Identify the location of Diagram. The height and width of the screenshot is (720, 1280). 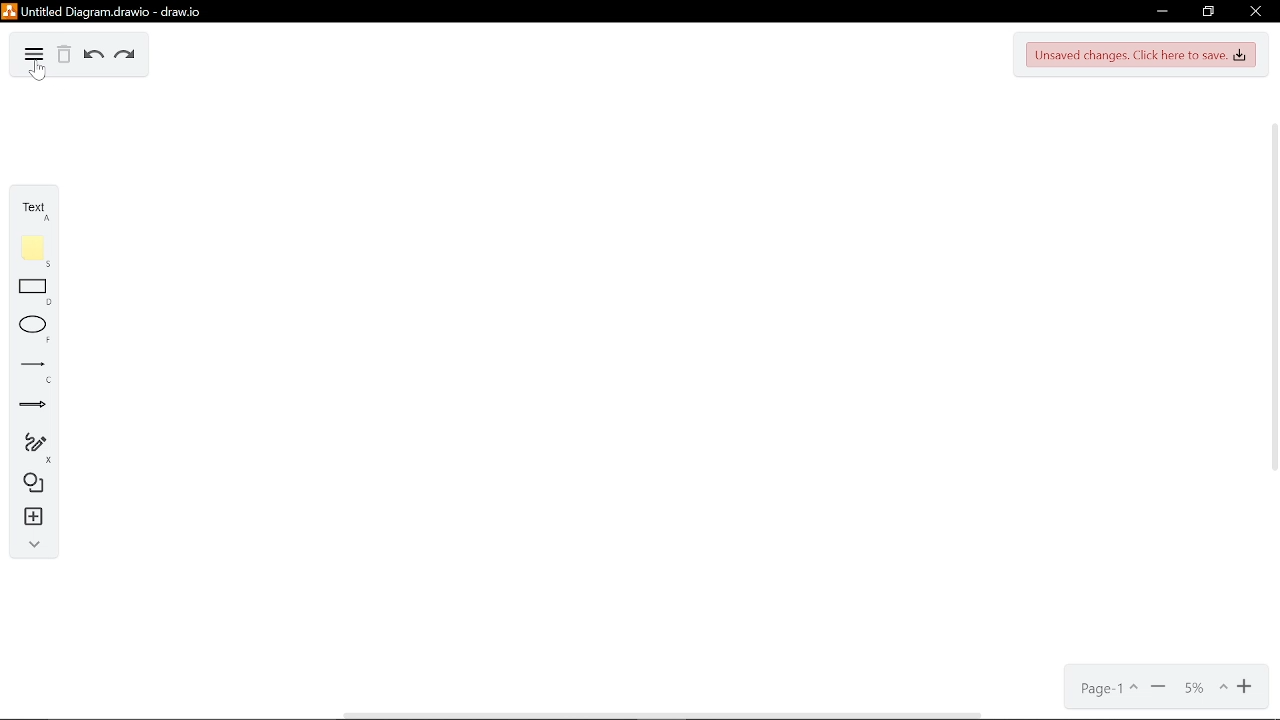
(25, 52).